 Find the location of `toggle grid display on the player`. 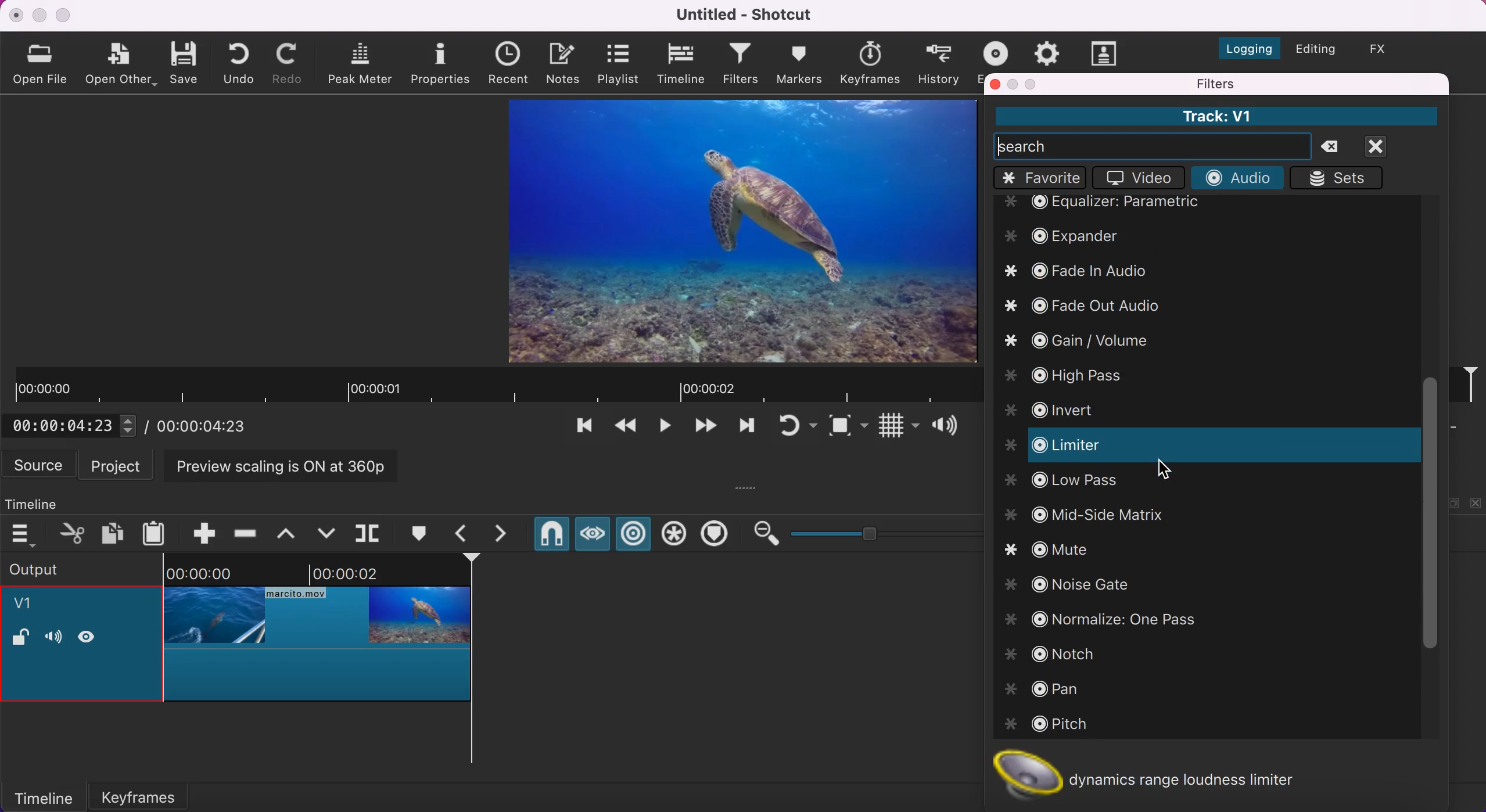

toggle grid display on the player is located at coordinates (897, 428).